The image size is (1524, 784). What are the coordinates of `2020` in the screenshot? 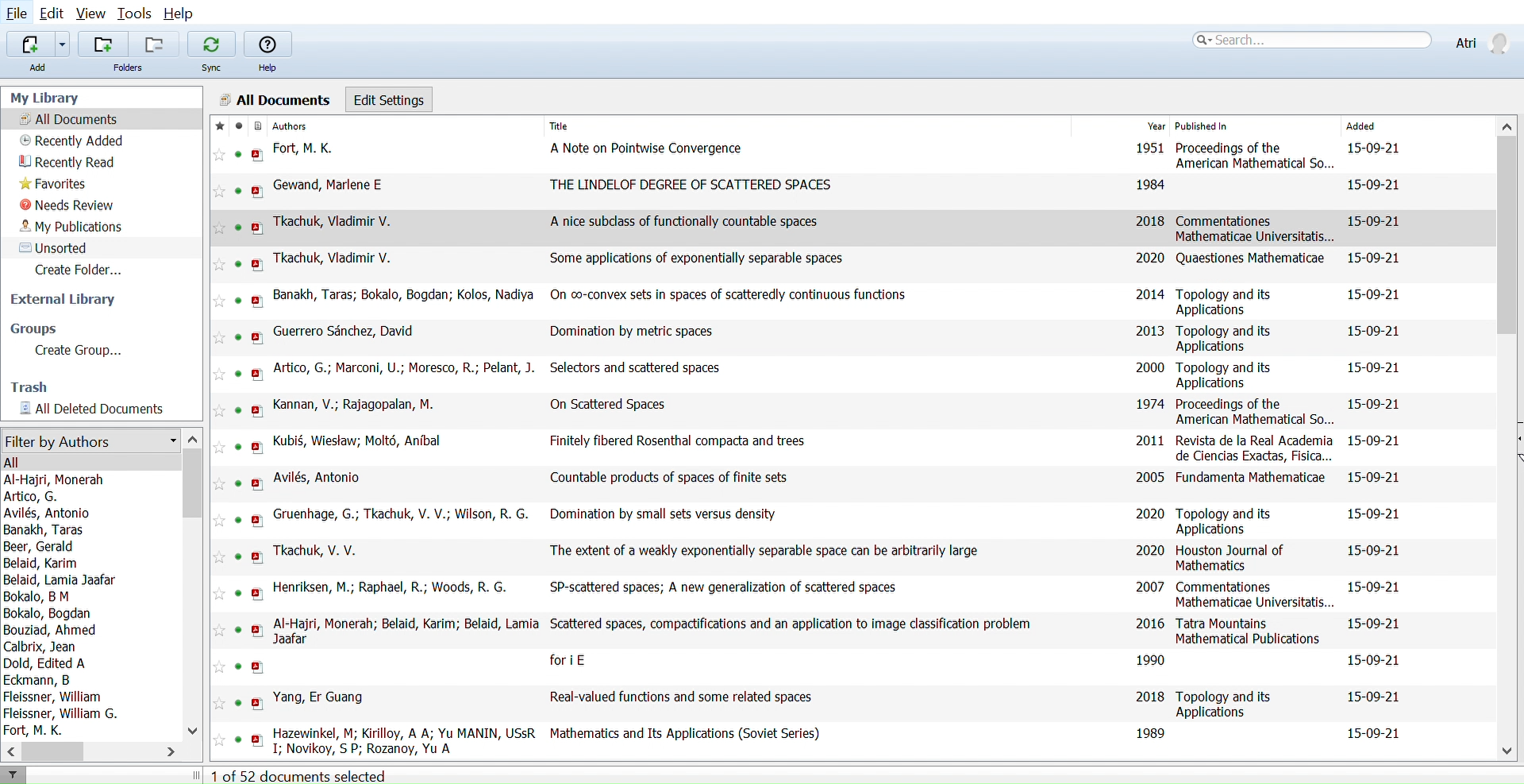 It's located at (1149, 551).